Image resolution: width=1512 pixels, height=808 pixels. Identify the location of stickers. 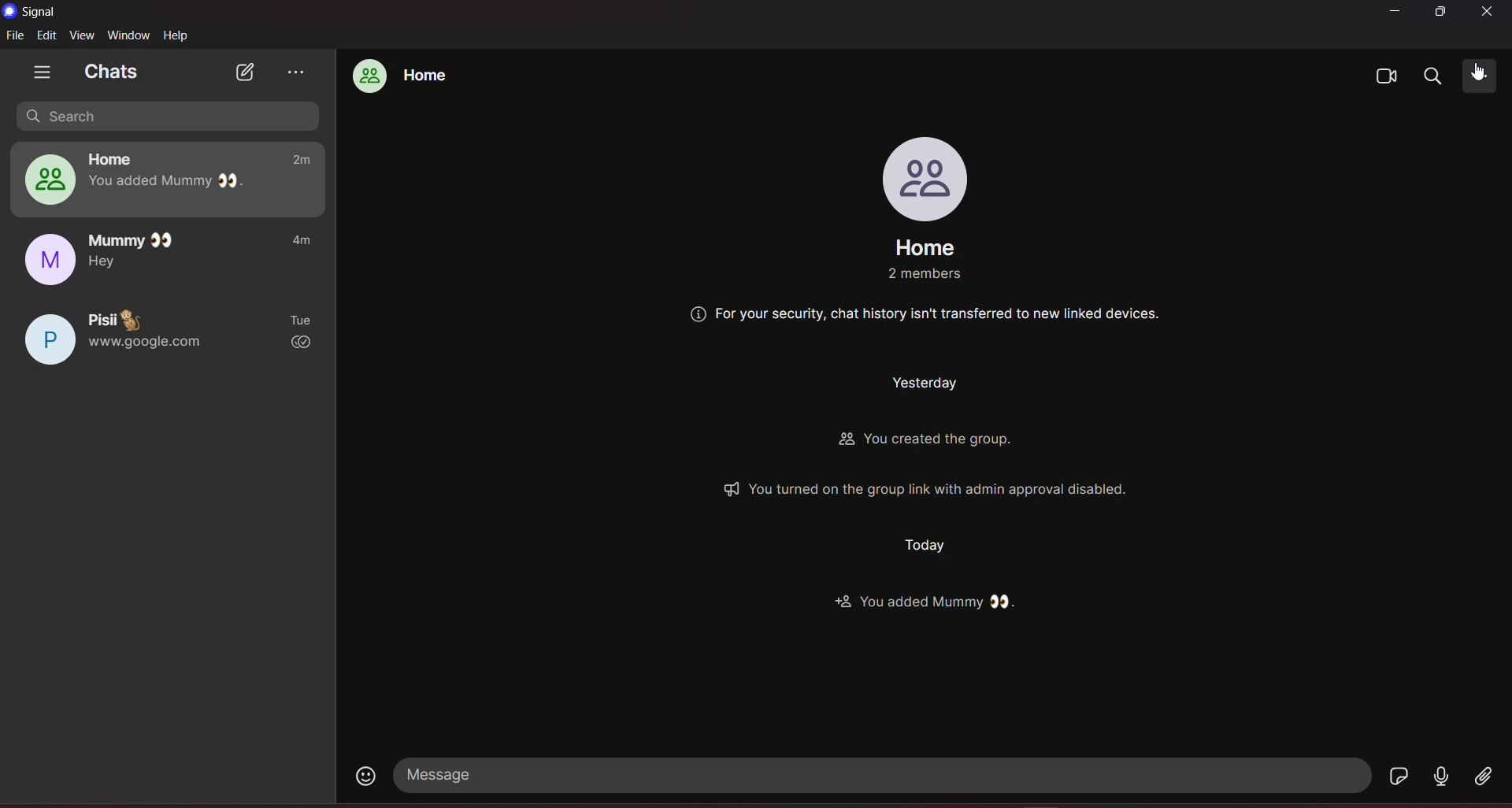
(1399, 776).